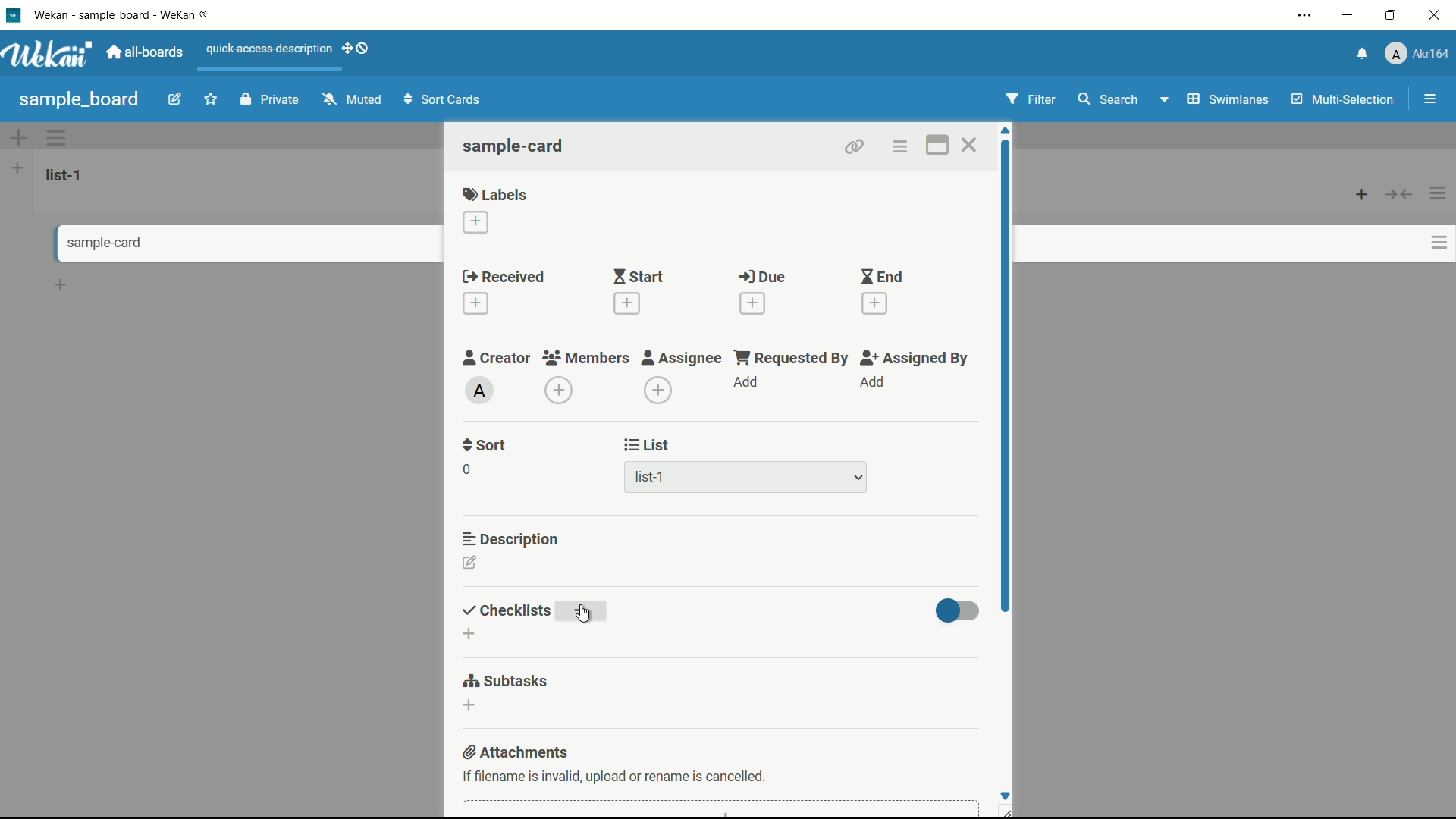 This screenshot has width=1456, height=819. I want to click on list-1, so click(652, 480).